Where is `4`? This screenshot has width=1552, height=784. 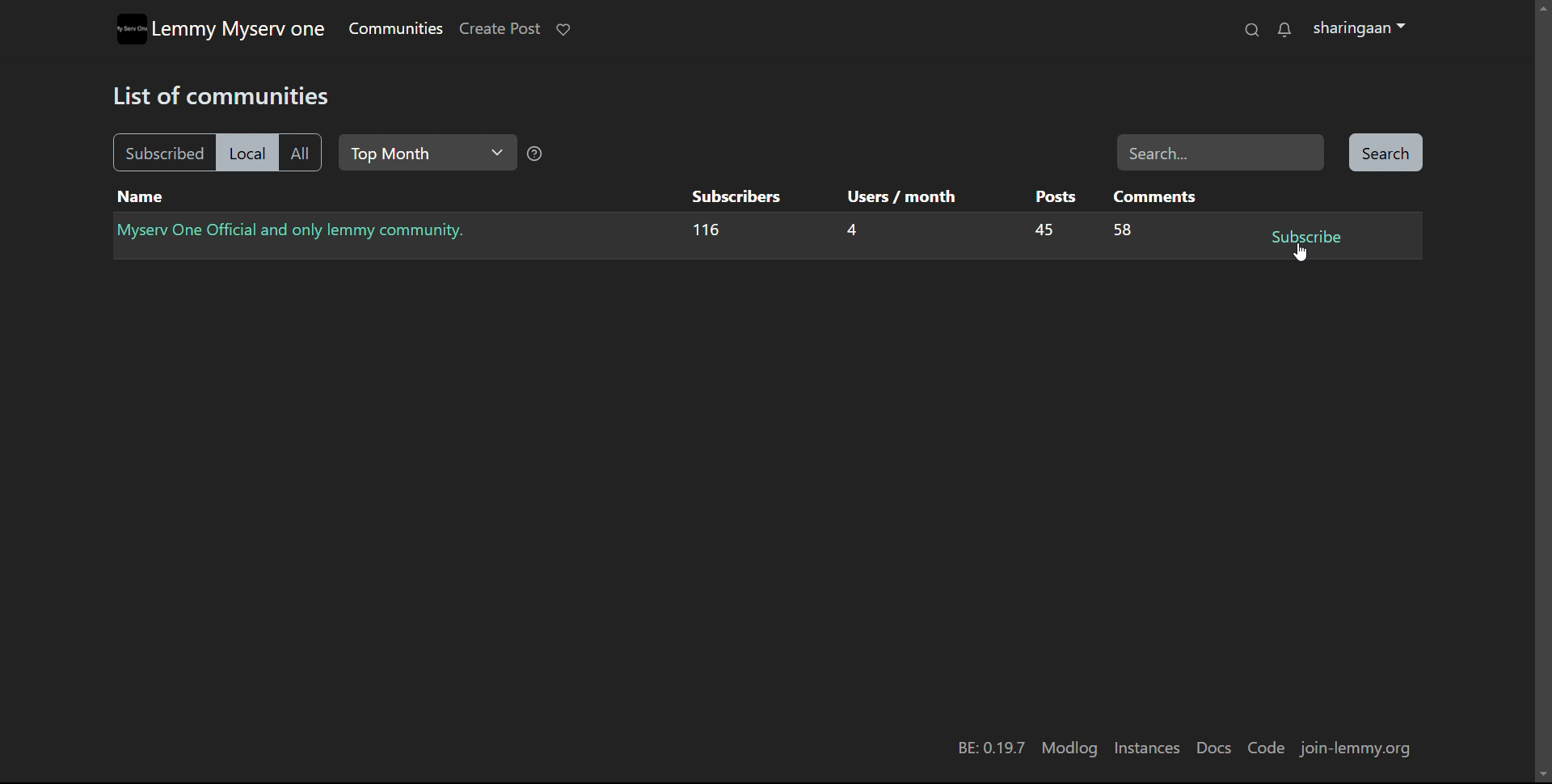
4 is located at coordinates (850, 233).